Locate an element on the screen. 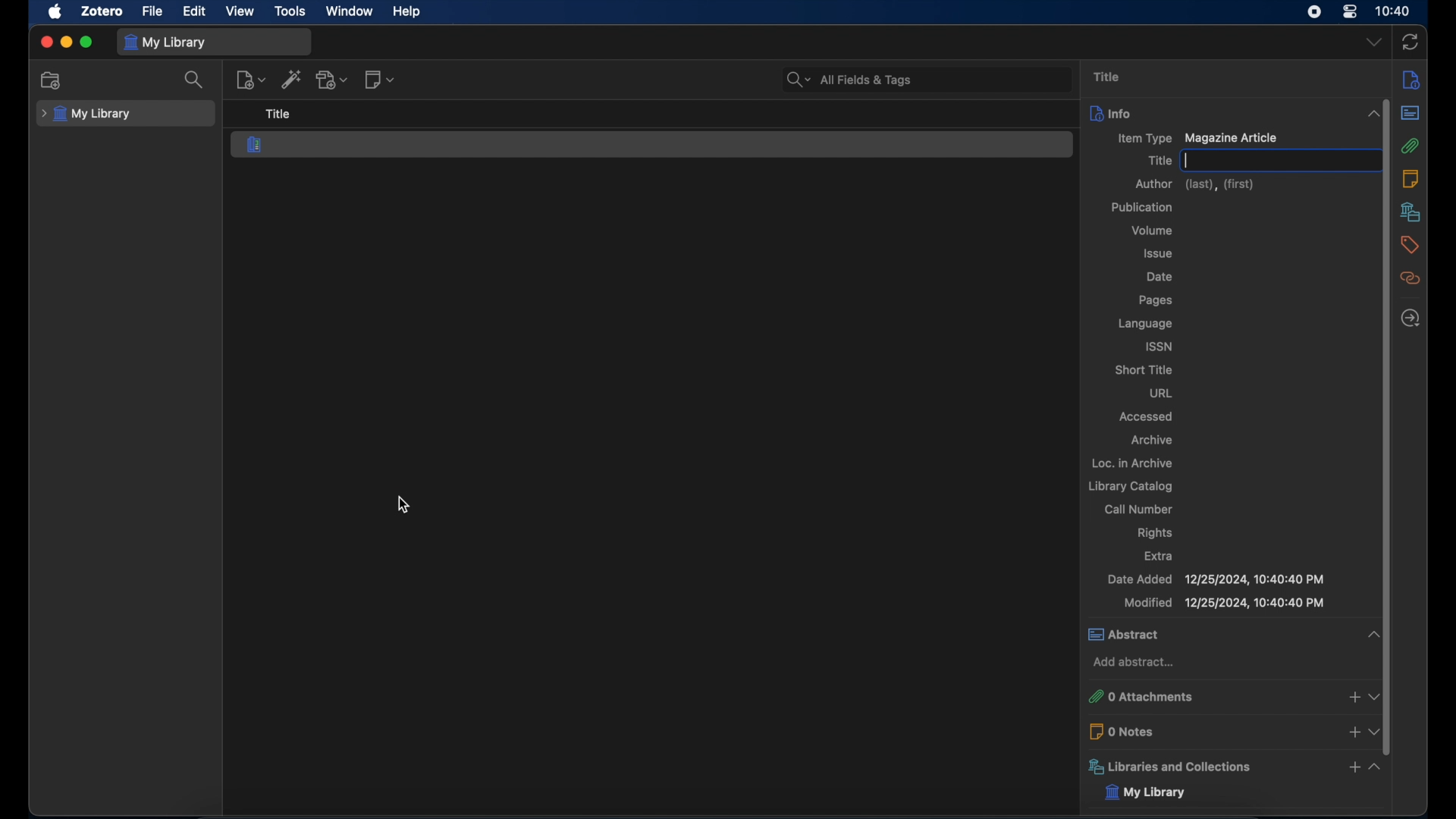  magazine article  is located at coordinates (255, 144).